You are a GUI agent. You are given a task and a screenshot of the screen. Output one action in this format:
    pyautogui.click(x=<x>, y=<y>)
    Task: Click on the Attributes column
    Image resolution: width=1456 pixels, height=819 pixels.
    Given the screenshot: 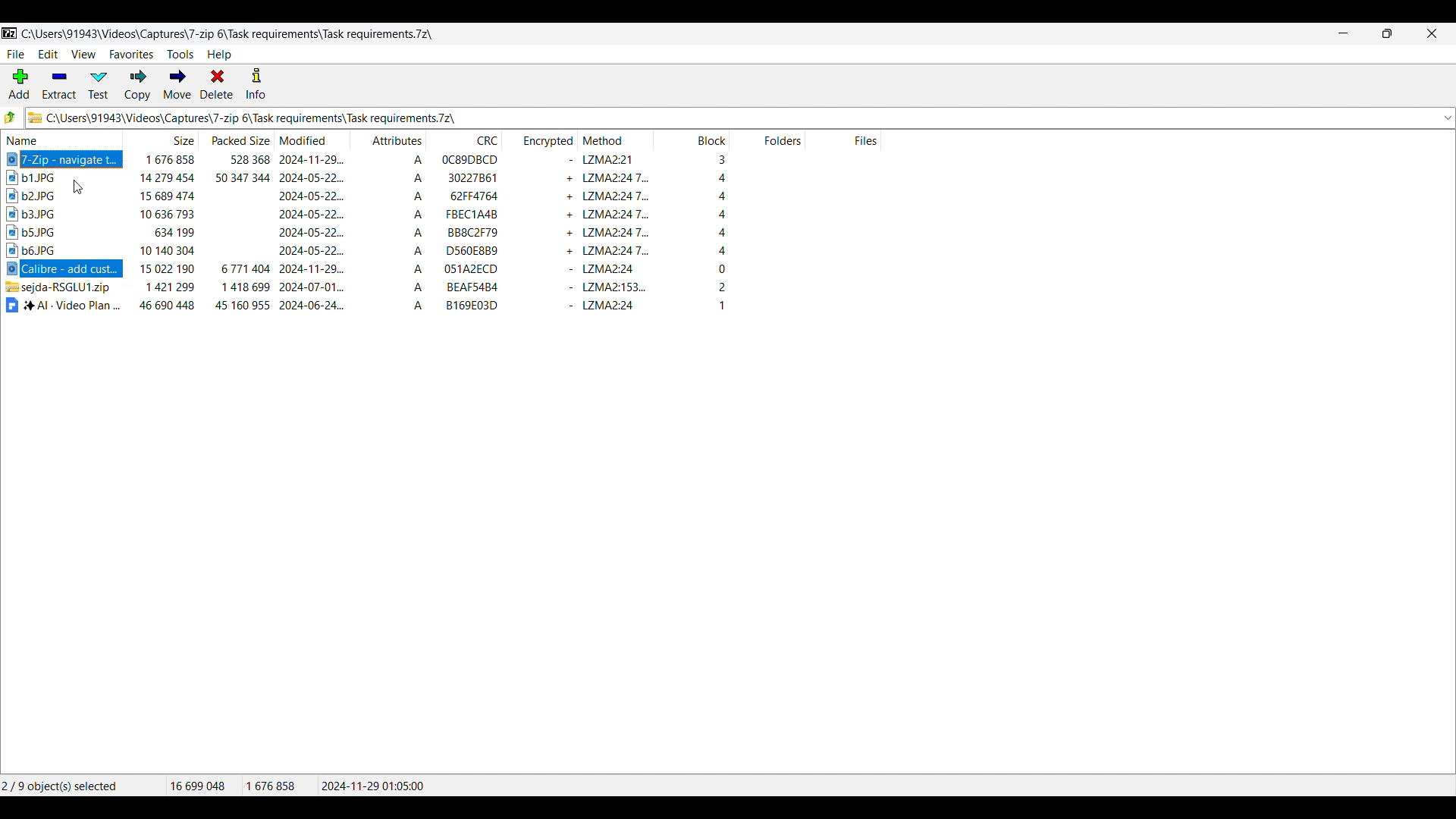 What is the action you would take?
    pyautogui.click(x=390, y=140)
    